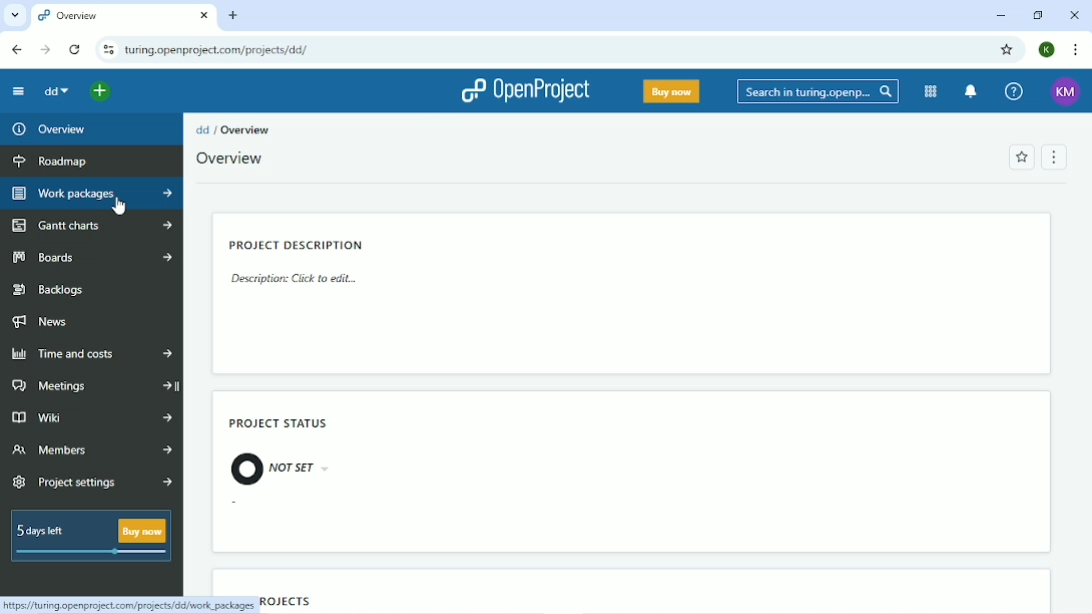 The width and height of the screenshot is (1092, 614). I want to click on Work packages, so click(92, 194).